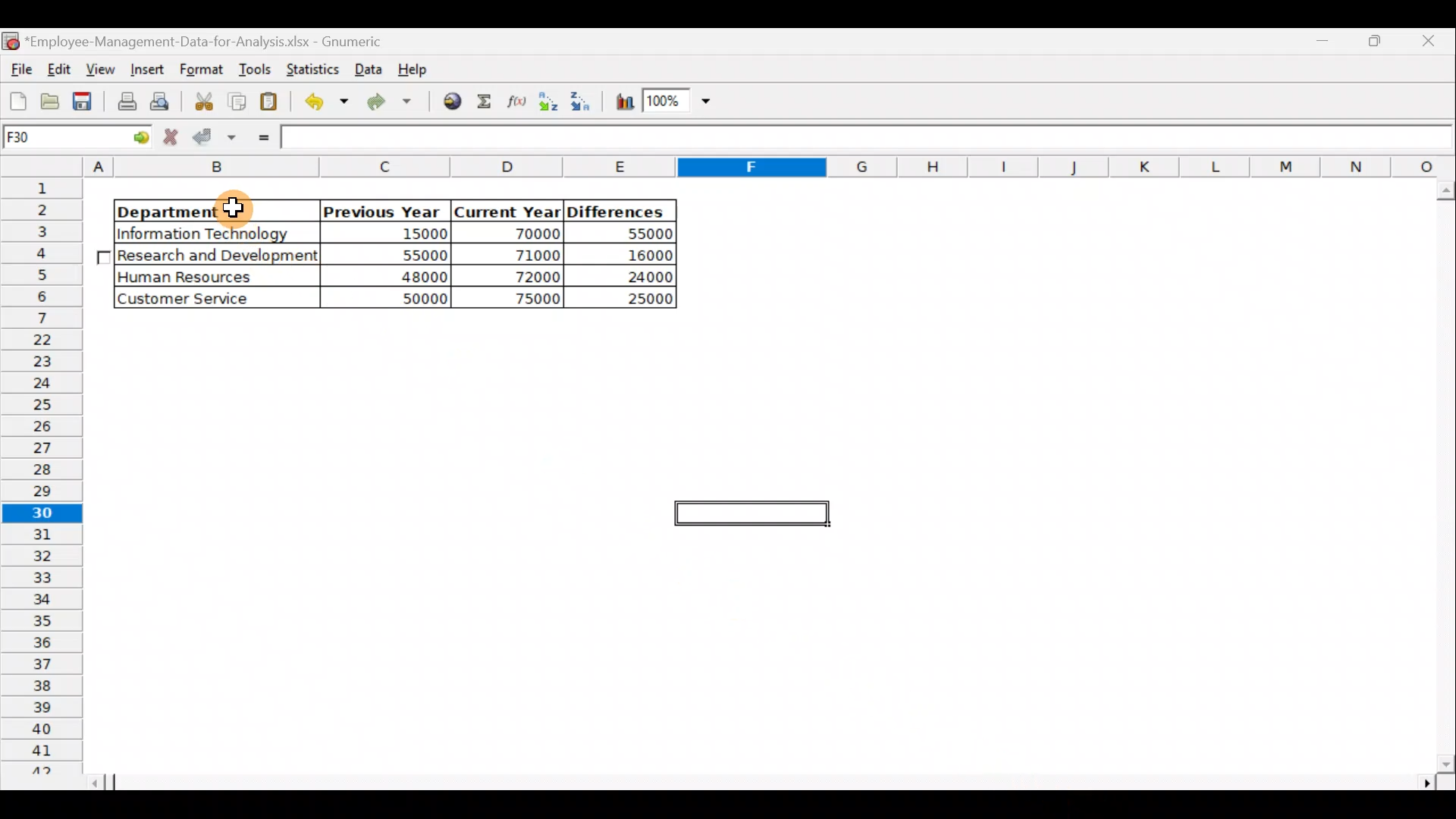 Image resolution: width=1456 pixels, height=819 pixels. I want to click on Minimize, so click(1376, 46).